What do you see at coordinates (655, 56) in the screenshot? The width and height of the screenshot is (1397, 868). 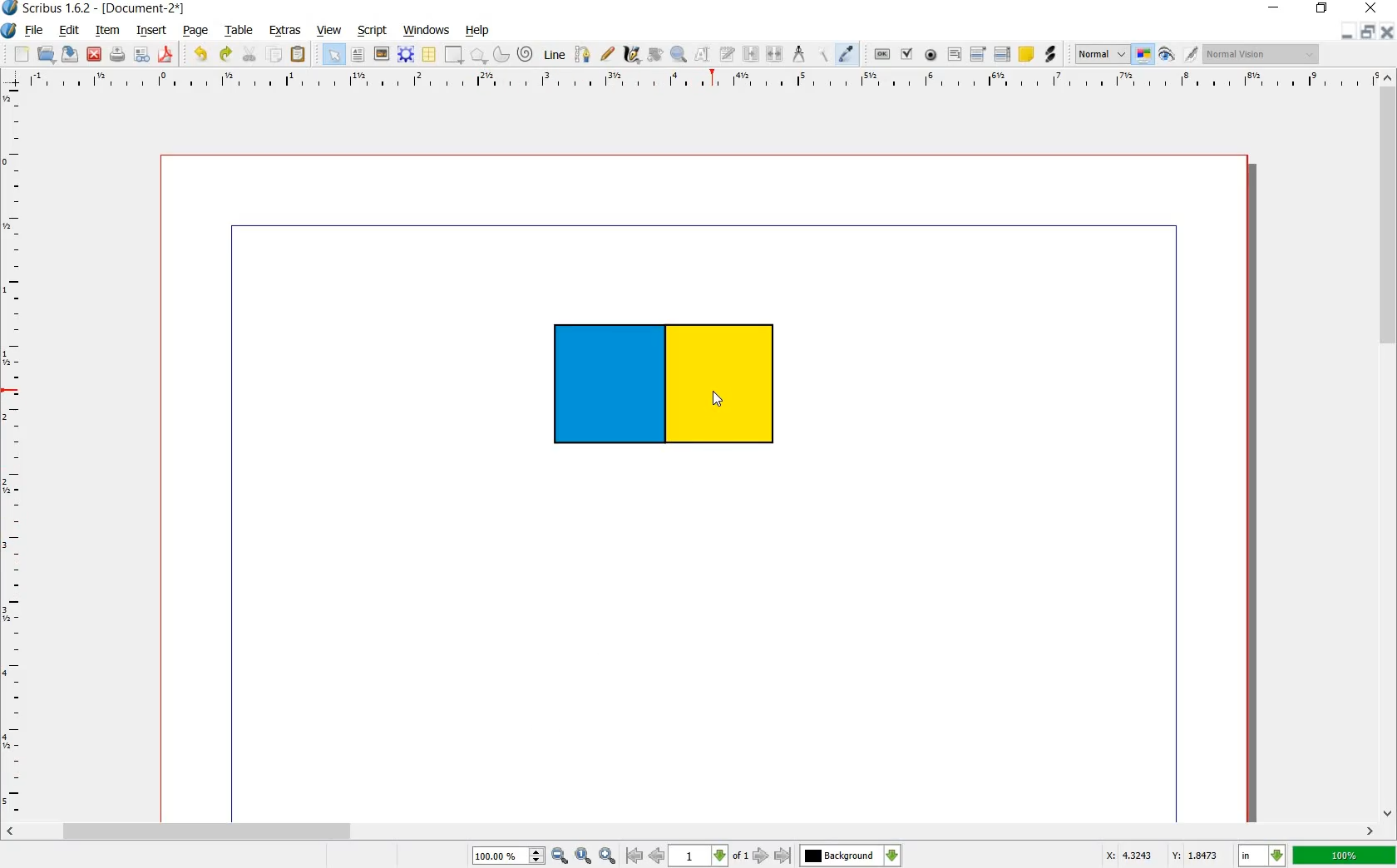 I see `rotate item` at bounding box center [655, 56].